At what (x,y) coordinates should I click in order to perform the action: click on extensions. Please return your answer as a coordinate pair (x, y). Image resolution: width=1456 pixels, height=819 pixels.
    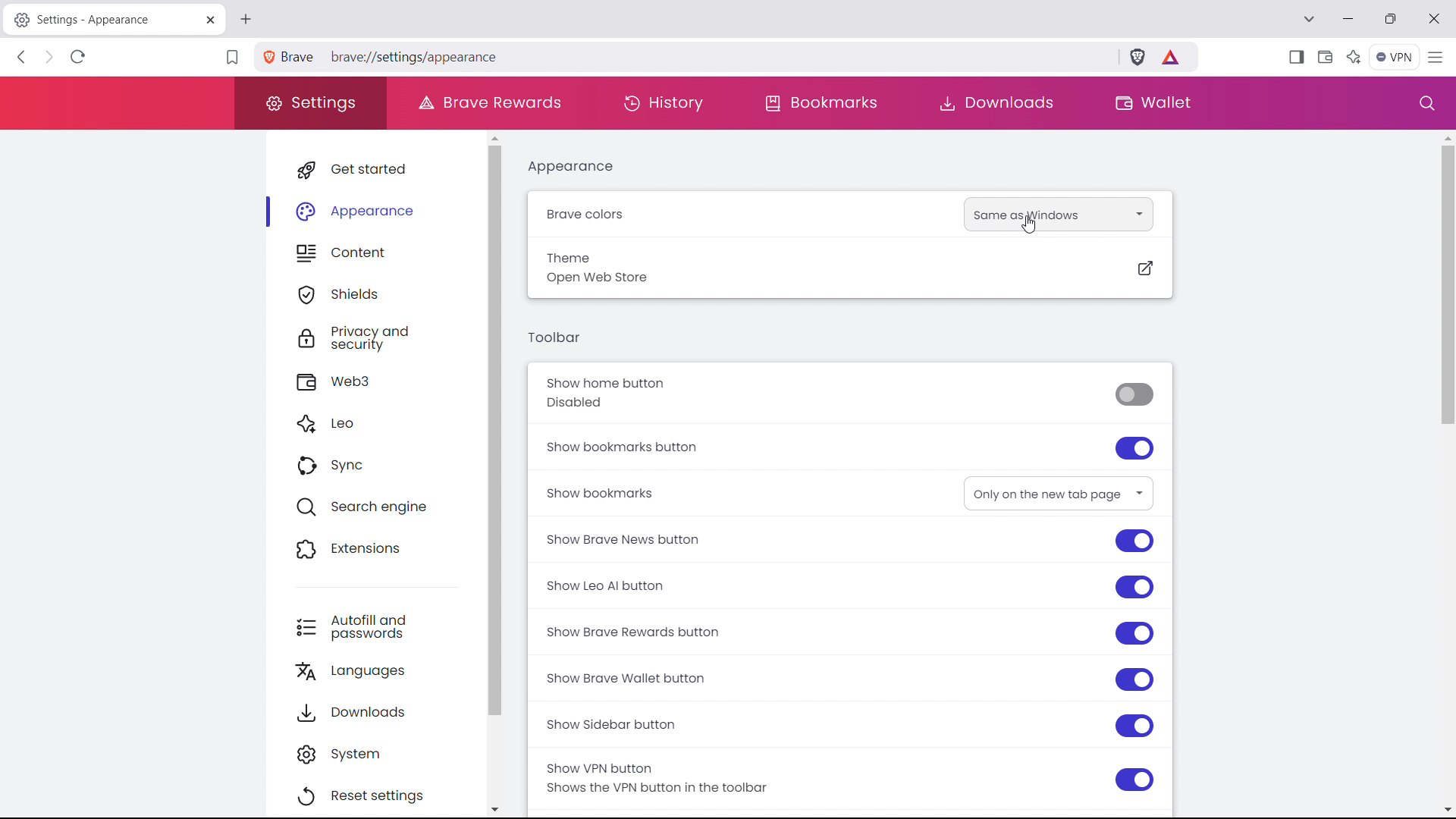
    Looking at the image, I should click on (386, 546).